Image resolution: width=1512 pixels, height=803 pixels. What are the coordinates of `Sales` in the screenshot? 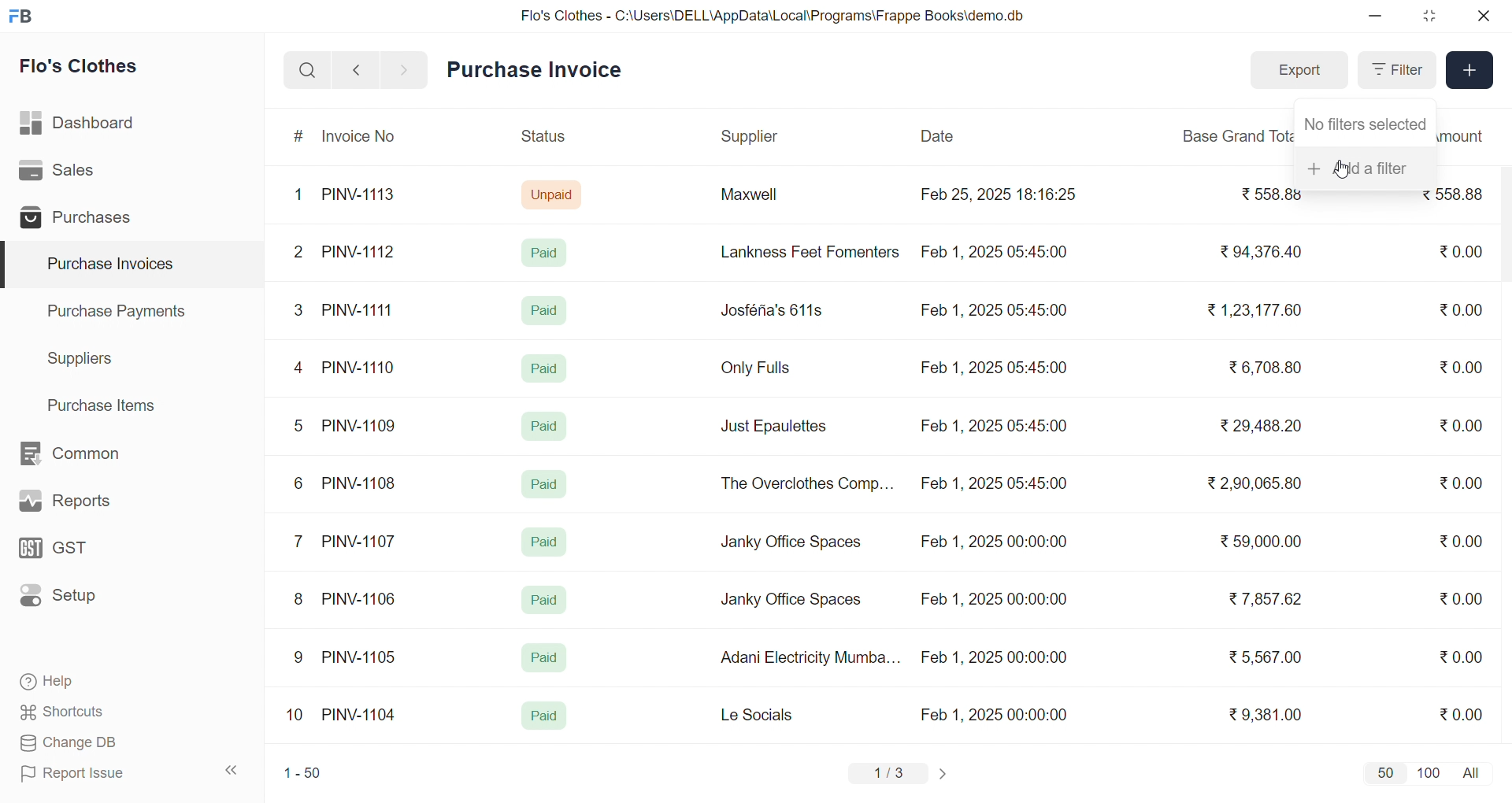 It's located at (81, 173).